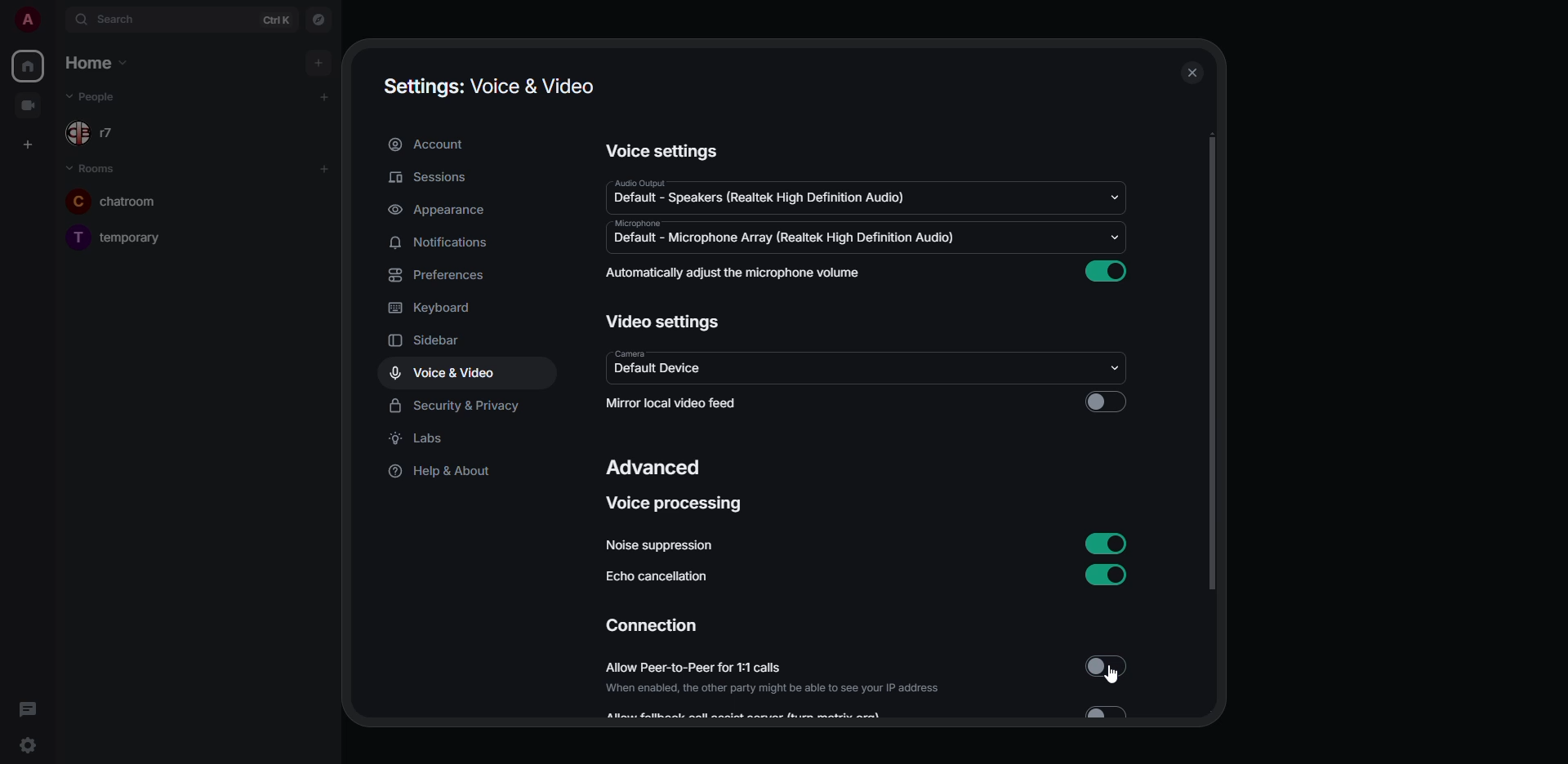  I want to click on voice settings, so click(658, 149).